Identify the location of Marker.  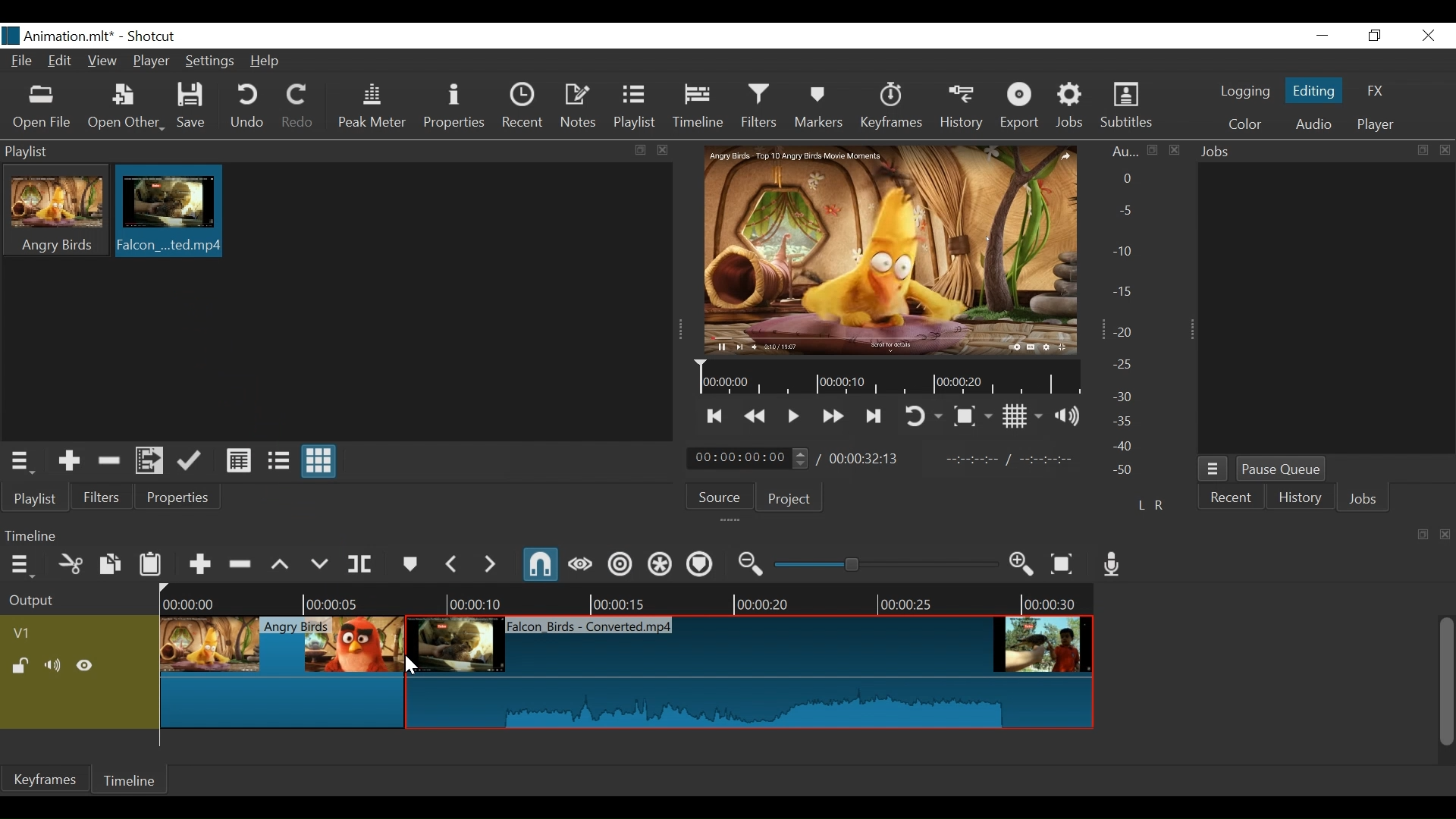
(409, 562).